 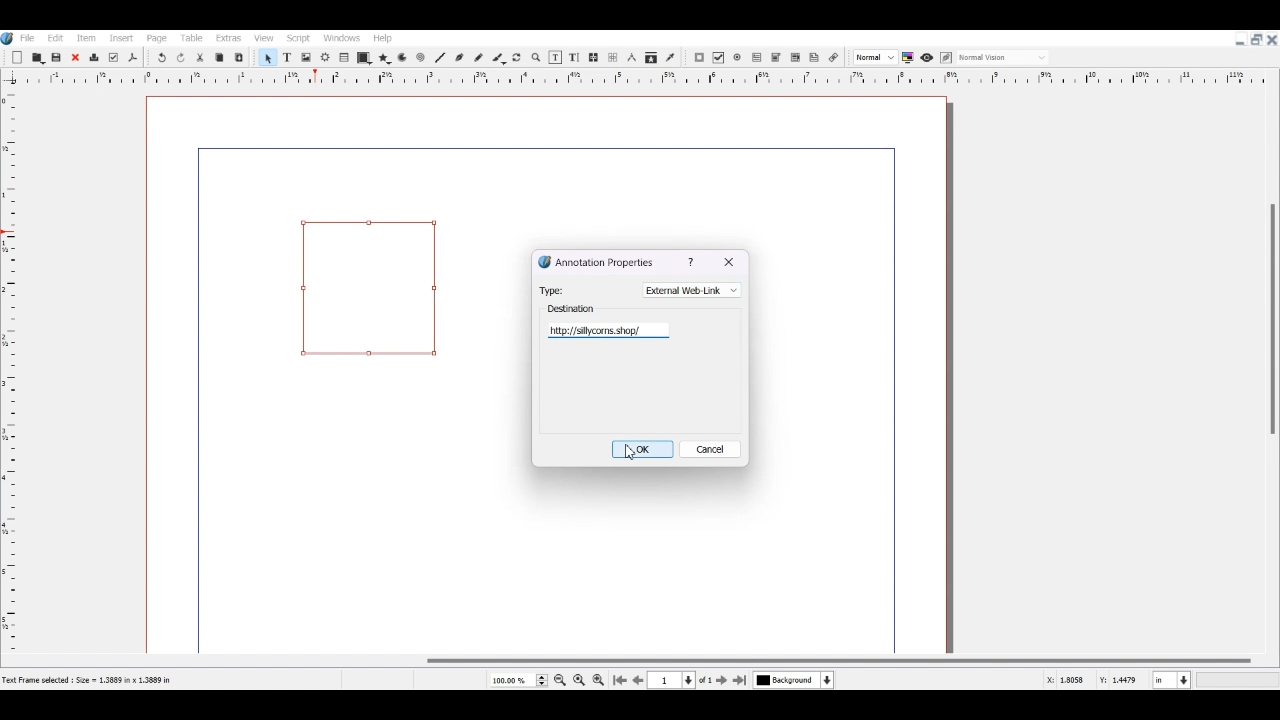 What do you see at coordinates (518, 680) in the screenshot?
I see `Select Current Page` at bounding box center [518, 680].